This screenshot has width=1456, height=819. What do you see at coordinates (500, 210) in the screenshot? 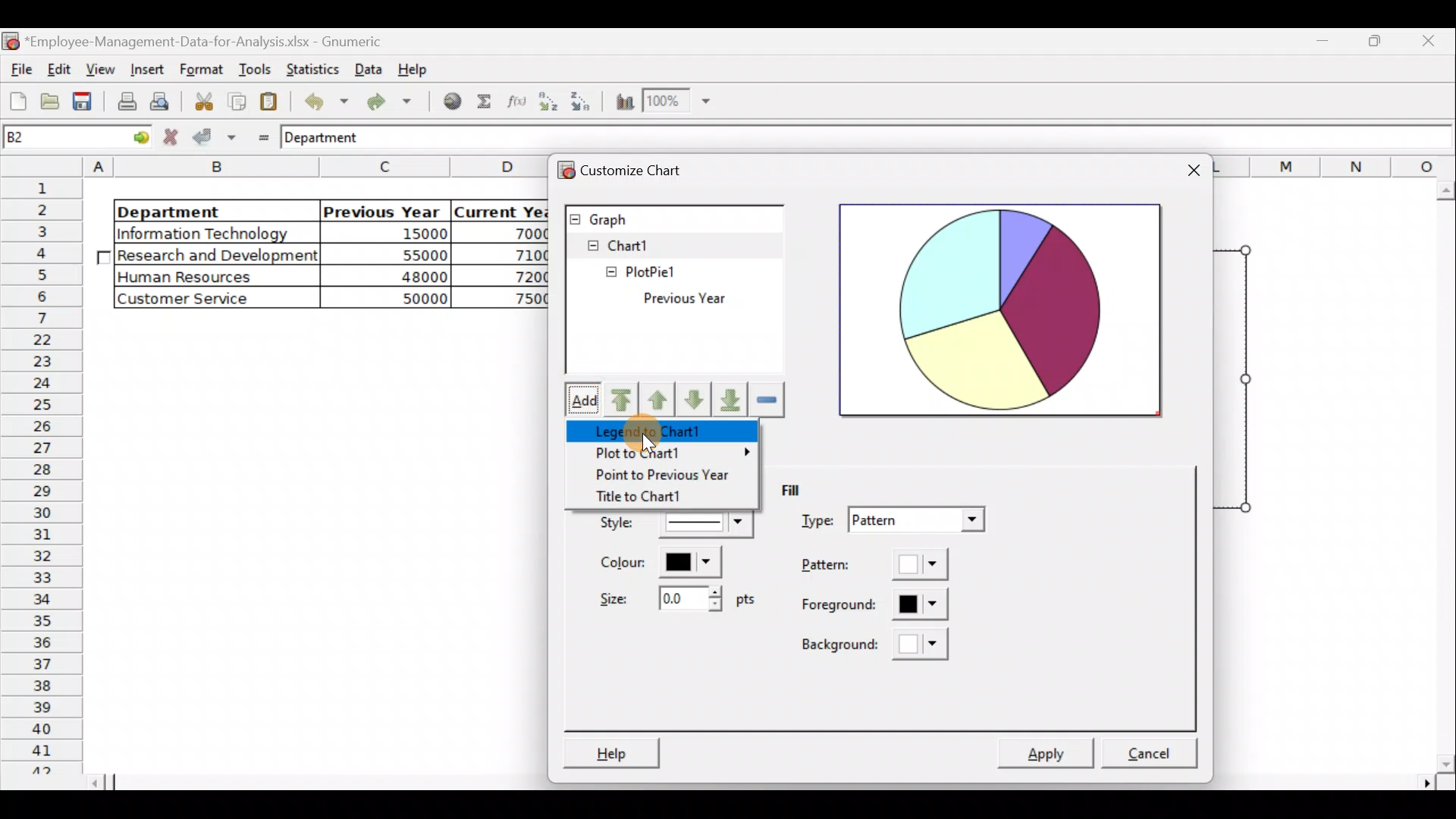
I see `Current Year` at bounding box center [500, 210].